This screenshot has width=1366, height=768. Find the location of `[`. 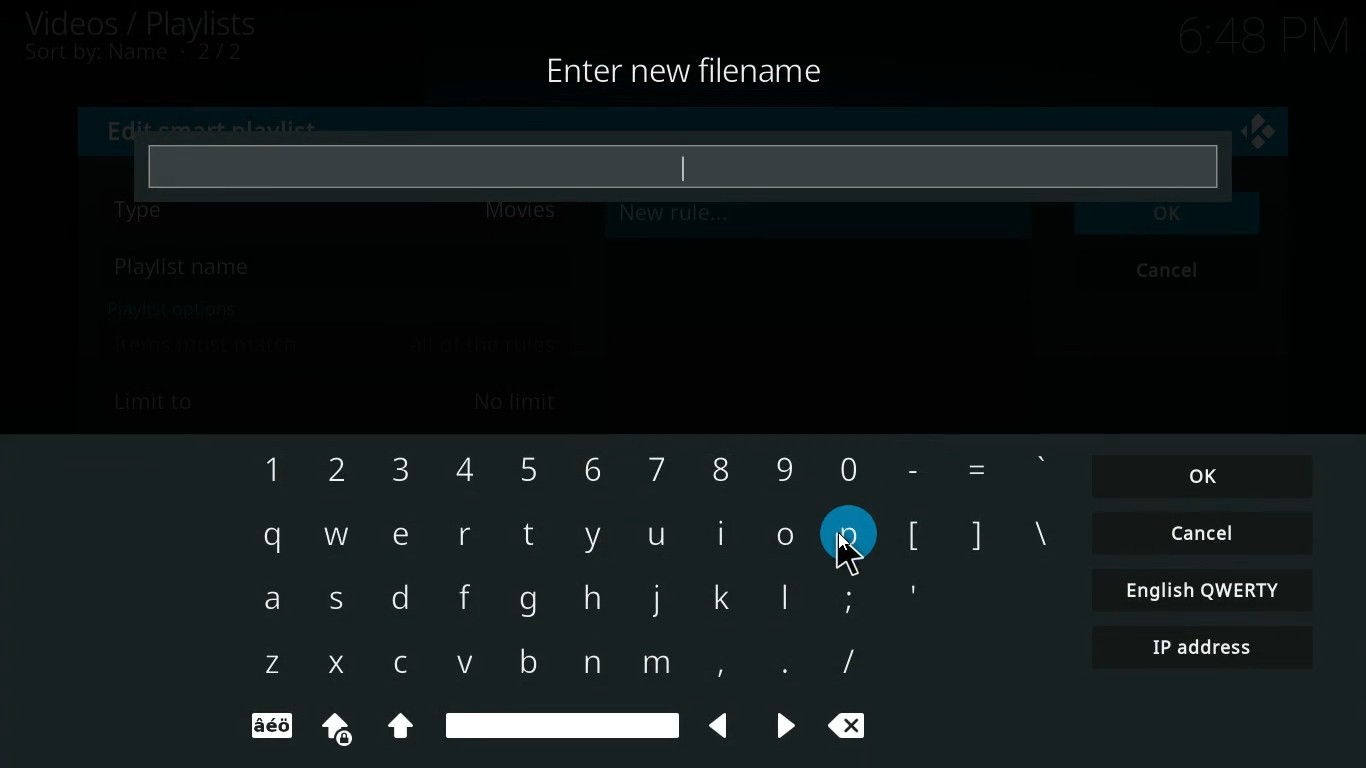

[ is located at coordinates (913, 537).